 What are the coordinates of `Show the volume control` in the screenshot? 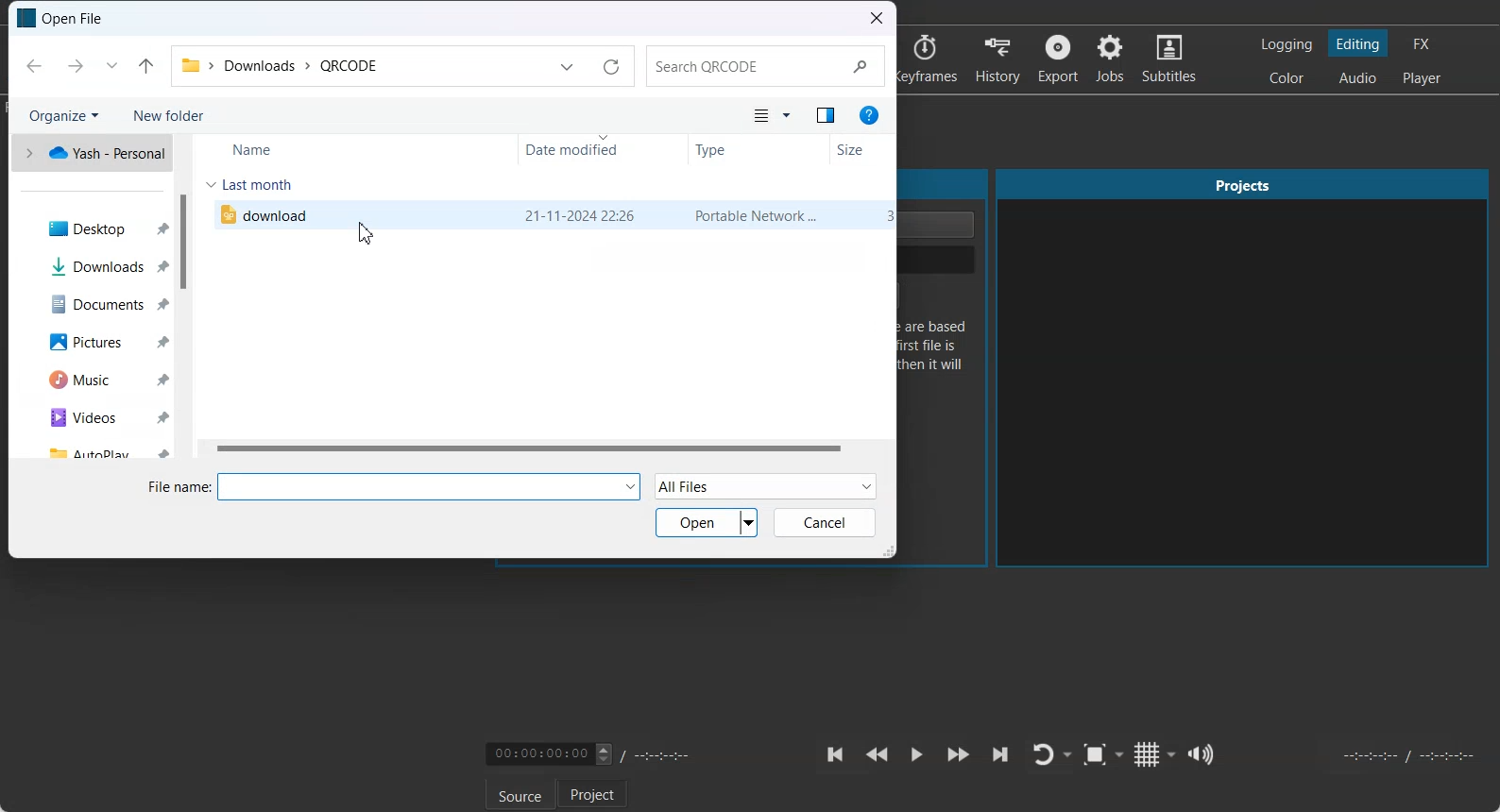 It's located at (1202, 754).